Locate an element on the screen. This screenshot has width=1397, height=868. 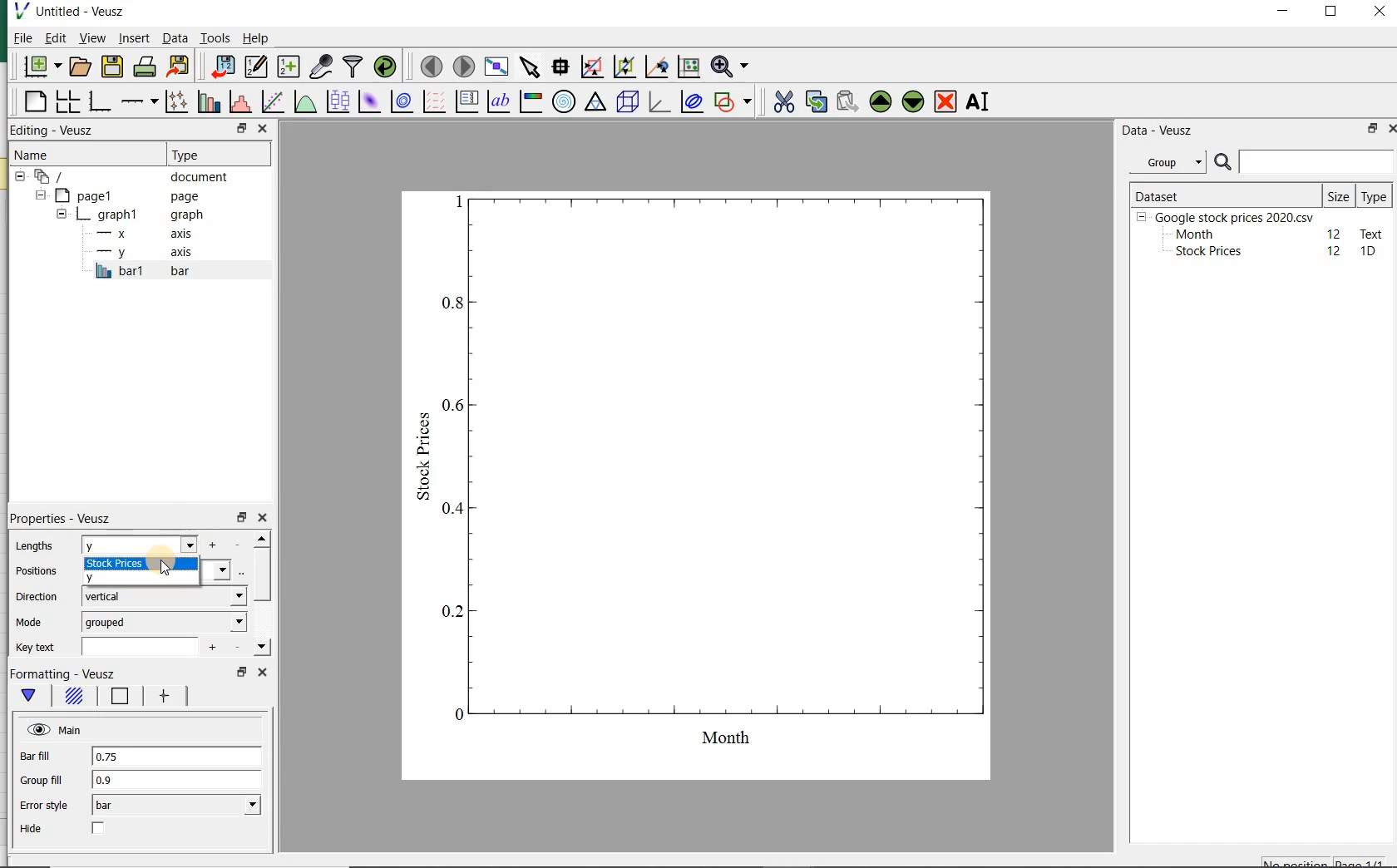
click to recenter graph axes is located at coordinates (654, 67).